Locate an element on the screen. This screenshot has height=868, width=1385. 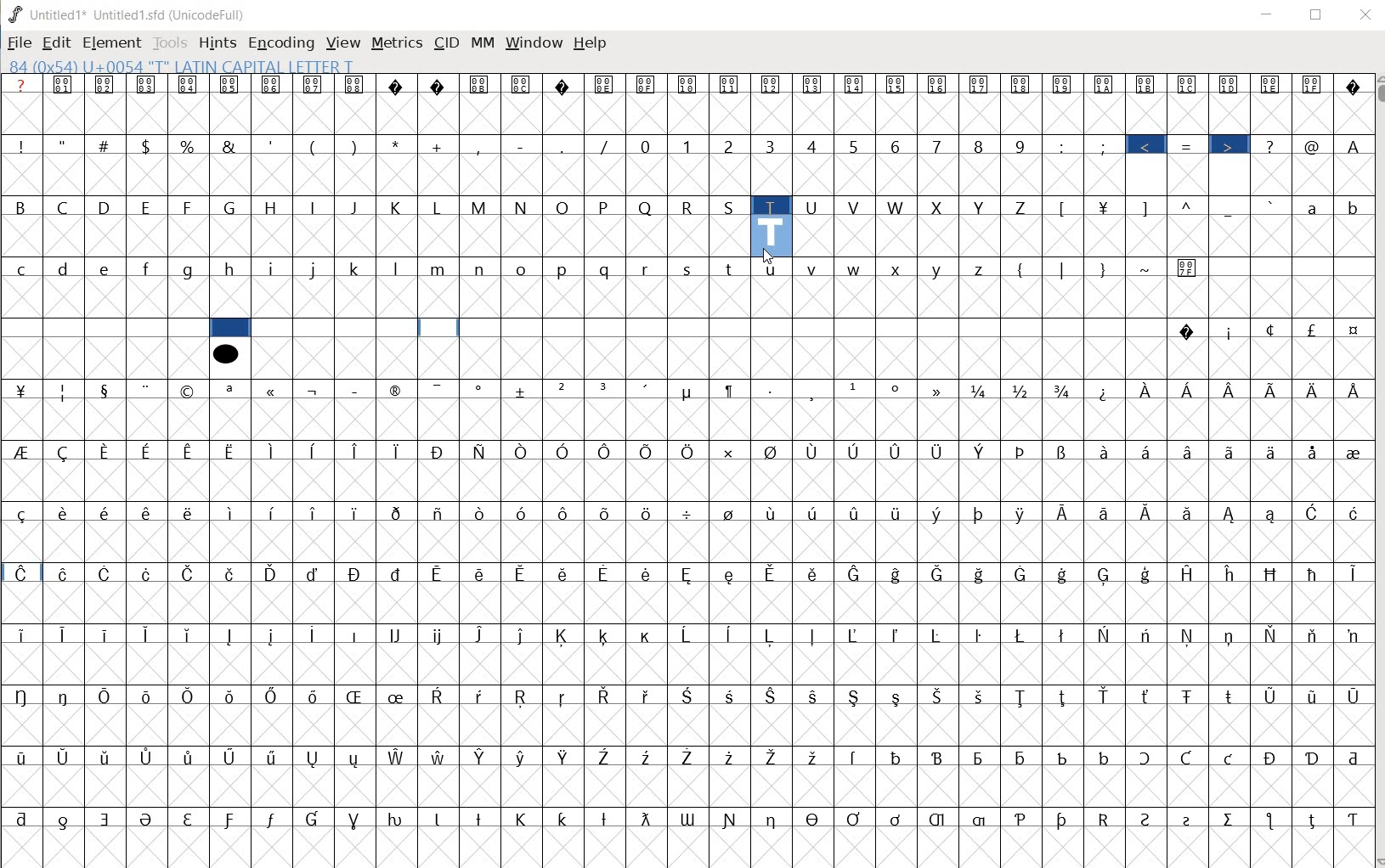
Symbol is located at coordinates (522, 698).